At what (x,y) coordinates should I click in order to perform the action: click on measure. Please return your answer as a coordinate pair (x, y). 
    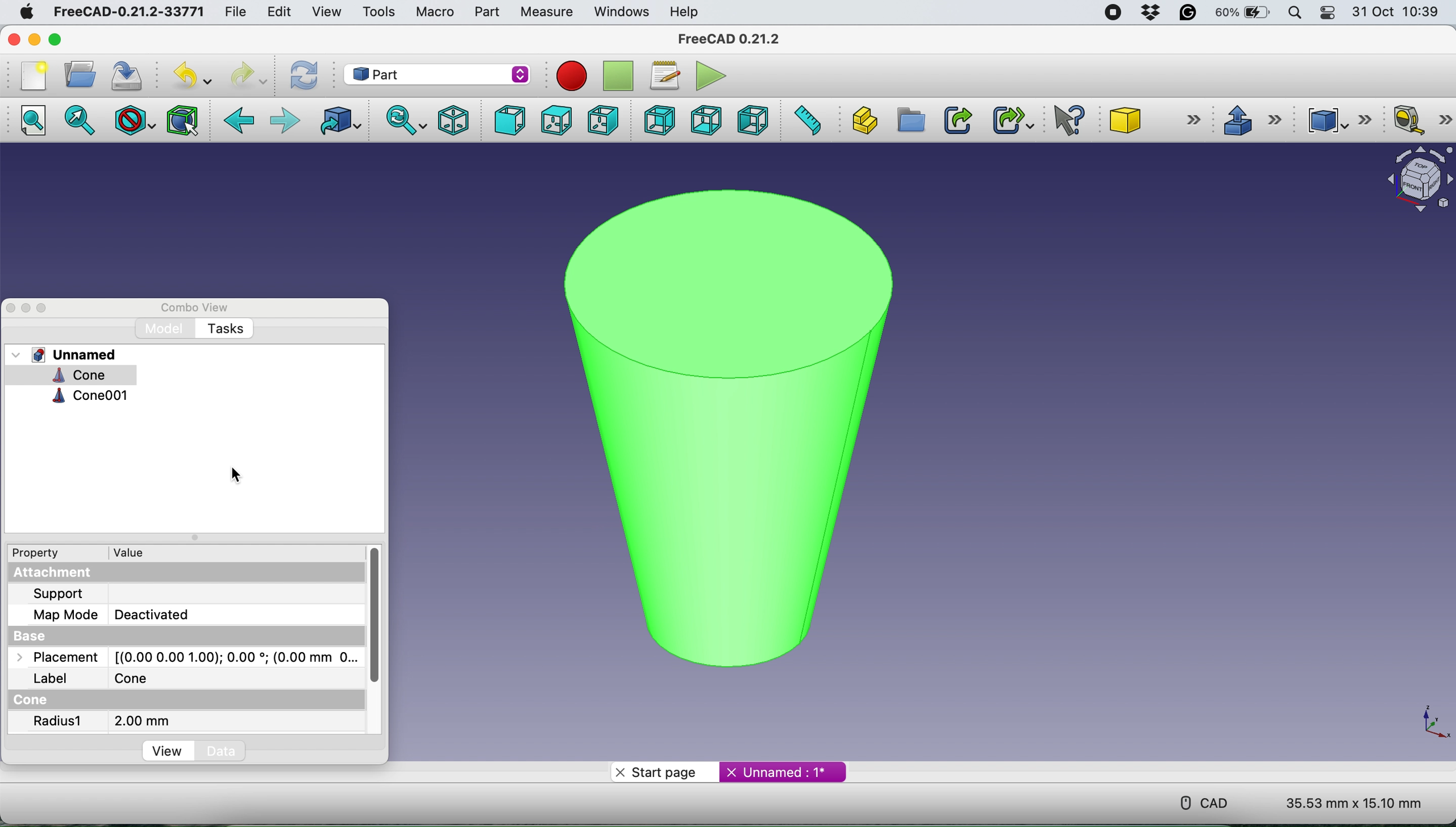
    Looking at the image, I should click on (546, 12).